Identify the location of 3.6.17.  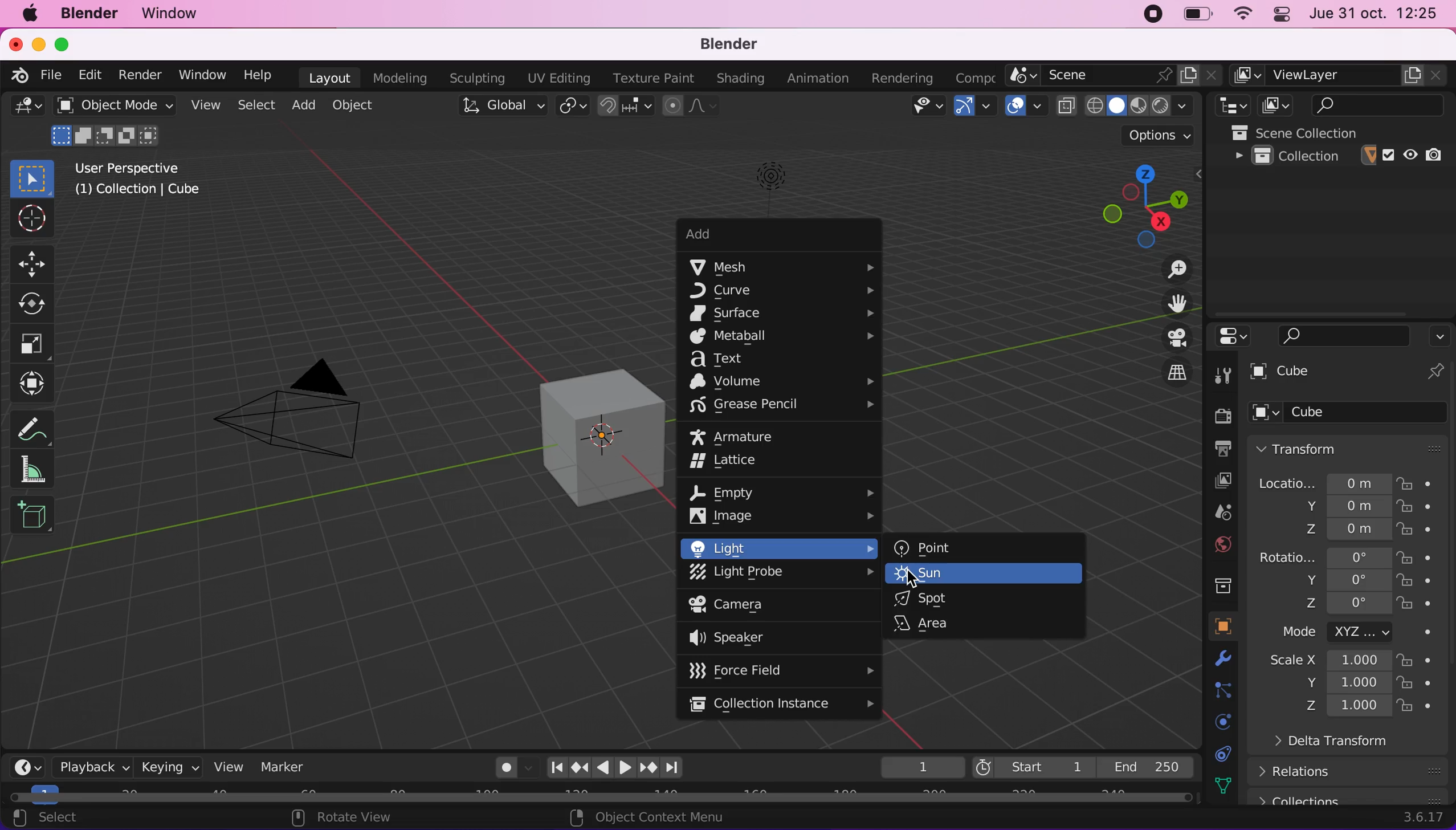
(1421, 819).